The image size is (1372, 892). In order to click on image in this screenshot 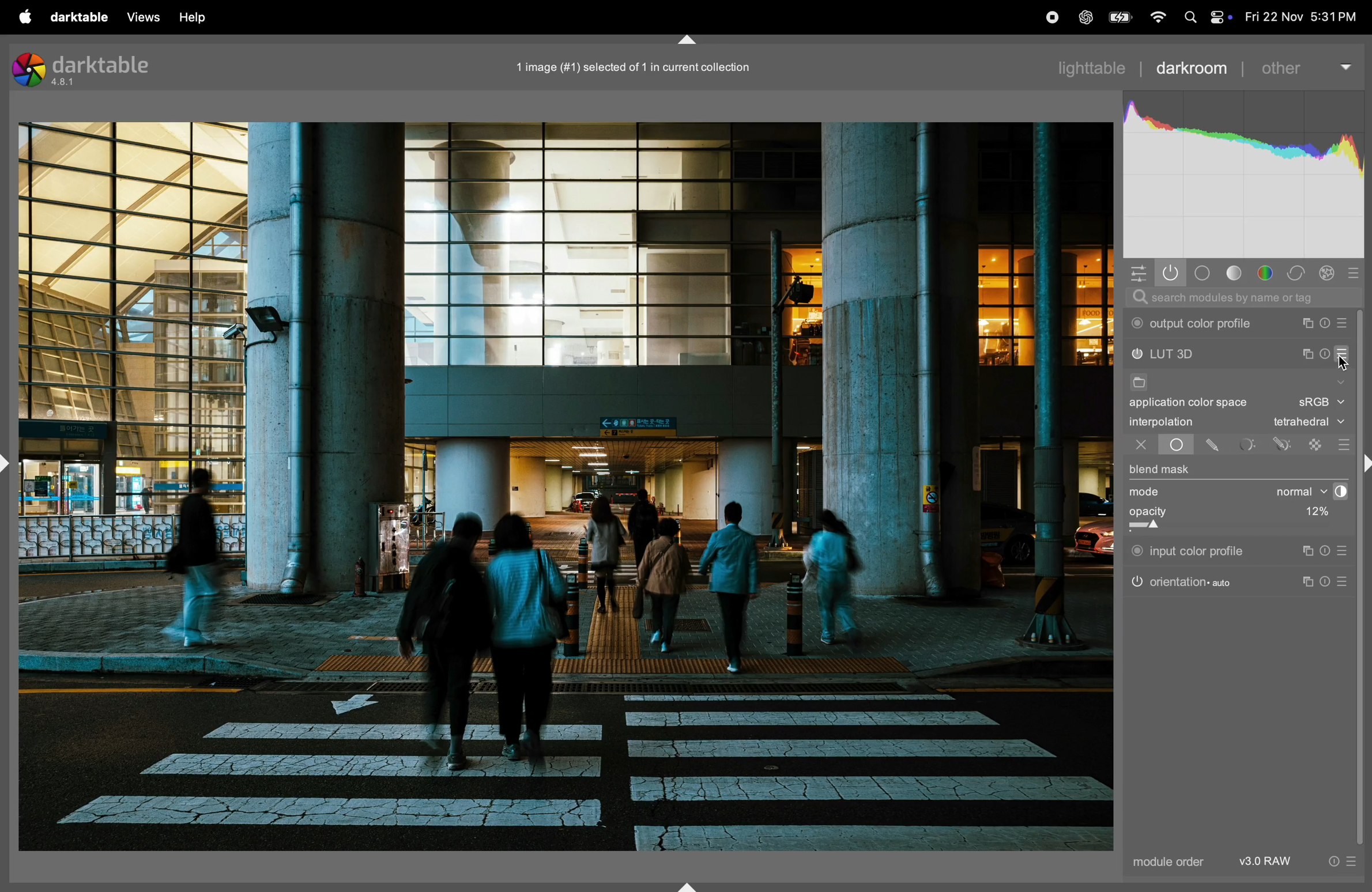, I will do `click(566, 486)`.